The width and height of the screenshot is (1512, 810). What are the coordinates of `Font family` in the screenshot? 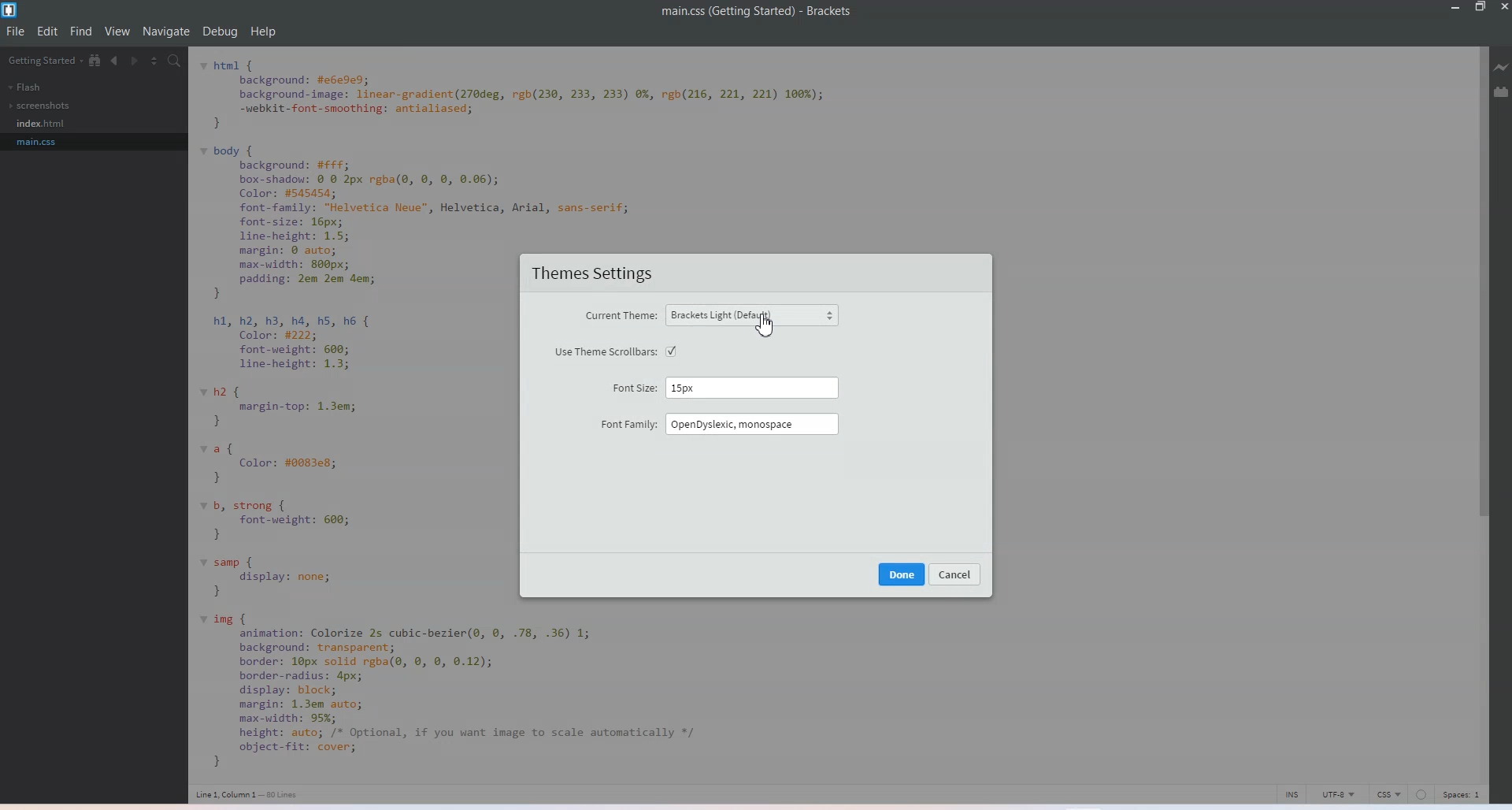 It's located at (628, 424).